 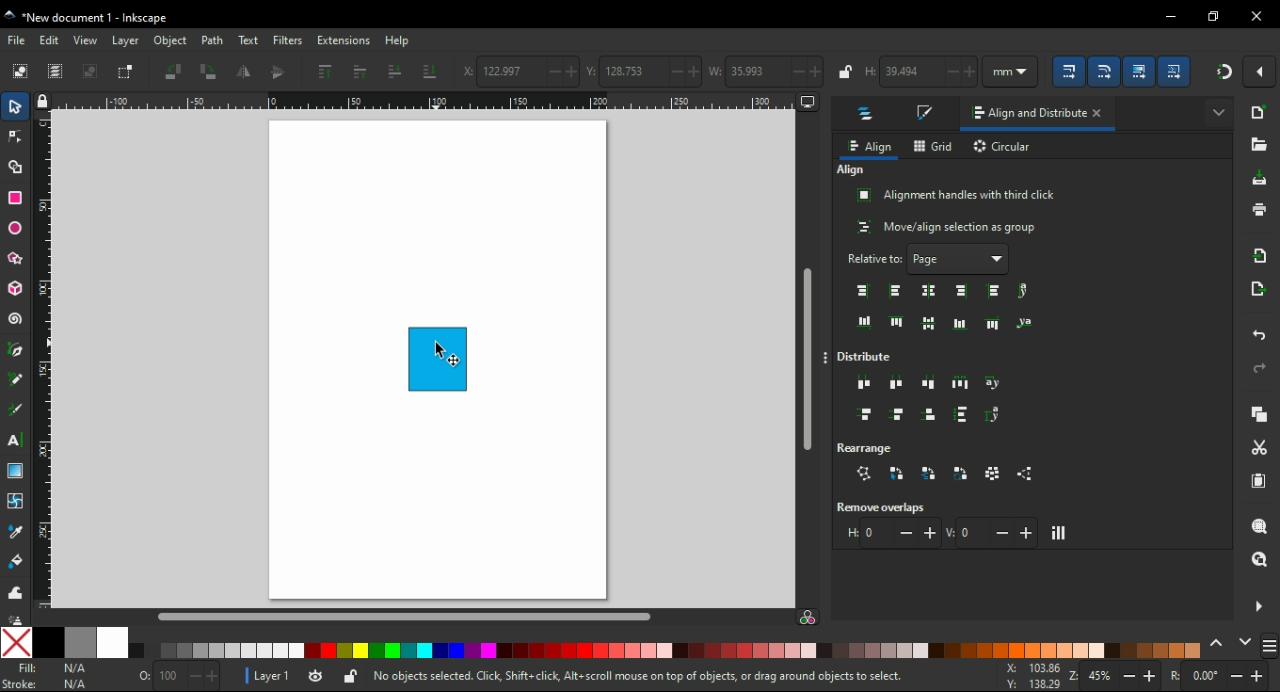 I want to click on fill color, so click(x=54, y=669).